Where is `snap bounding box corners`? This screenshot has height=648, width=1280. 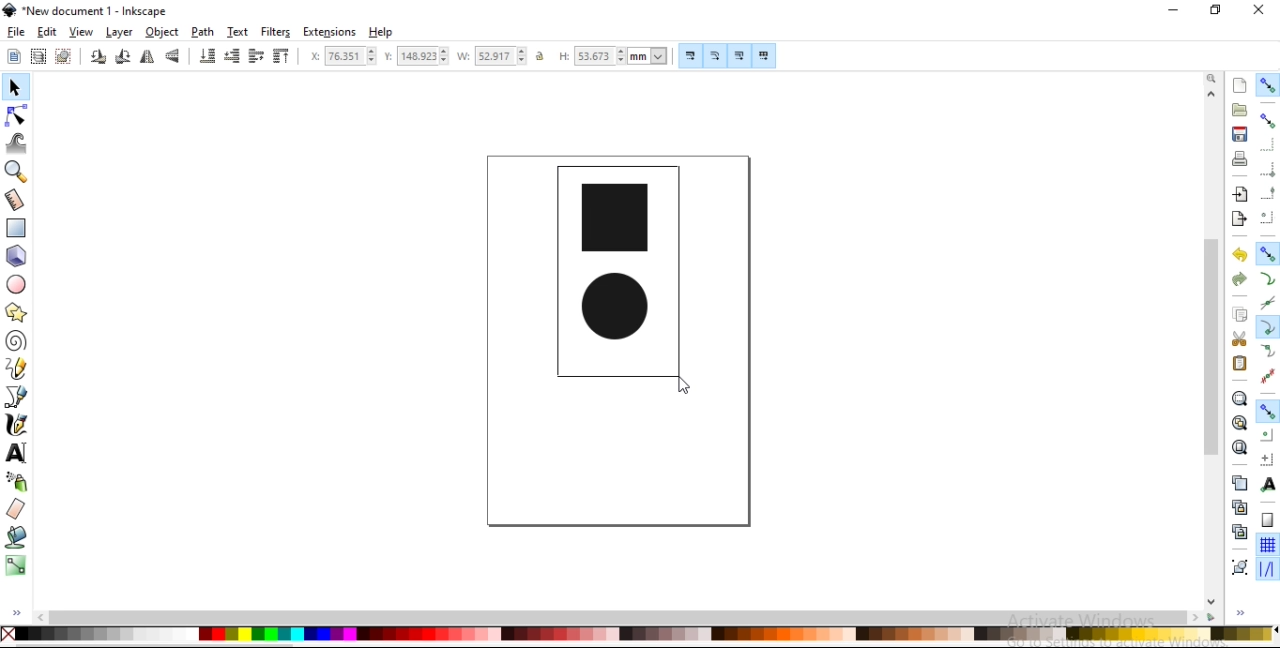
snap bounding box corners is located at coordinates (1267, 170).